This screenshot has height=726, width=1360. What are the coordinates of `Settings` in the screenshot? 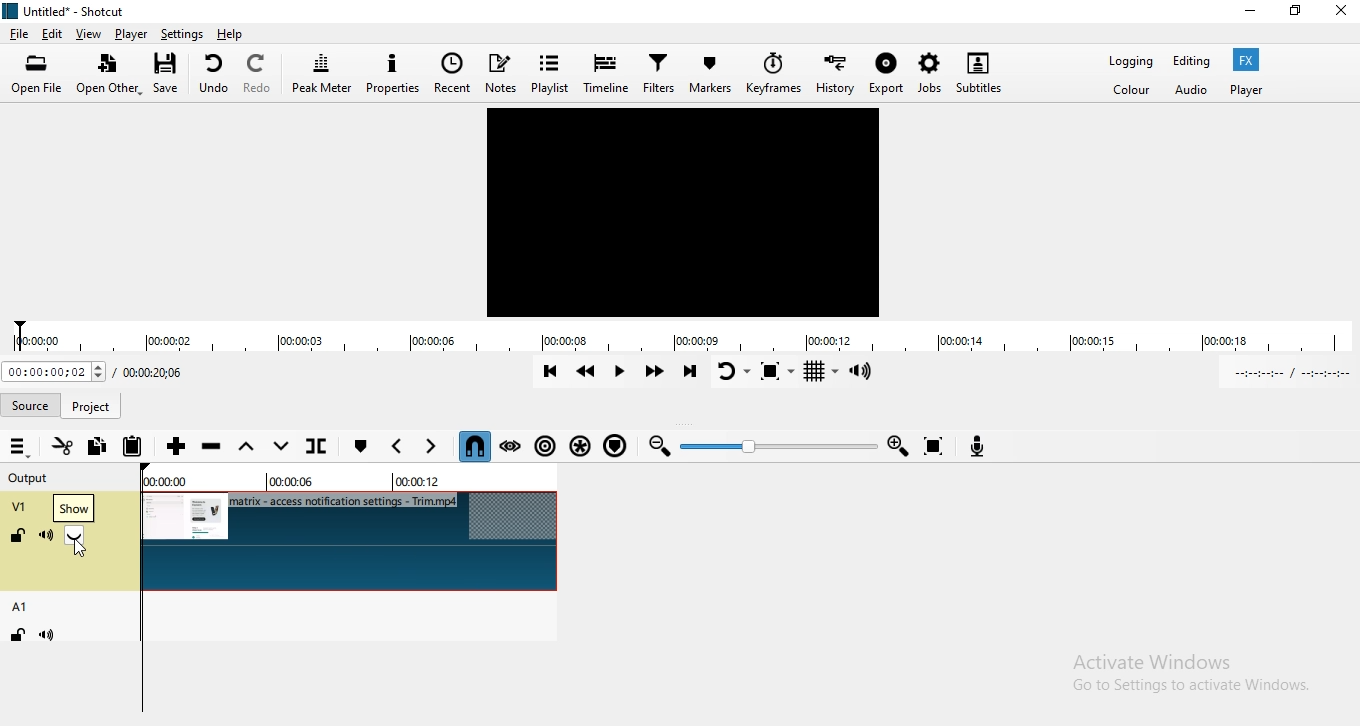 It's located at (185, 32).